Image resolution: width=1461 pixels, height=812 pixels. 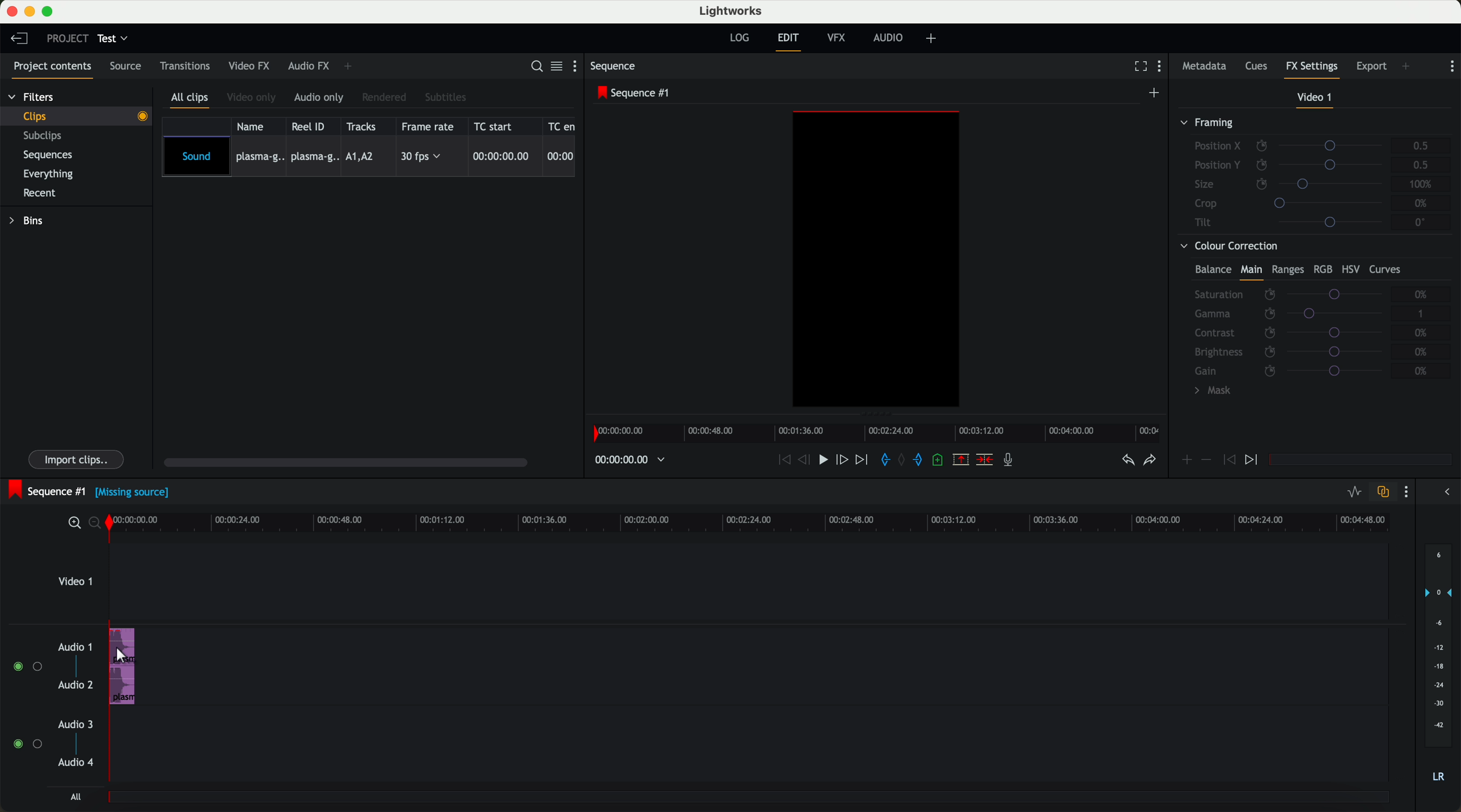 What do you see at coordinates (83, 116) in the screenshot?
I see `clip` at bounding box center [83, 116].